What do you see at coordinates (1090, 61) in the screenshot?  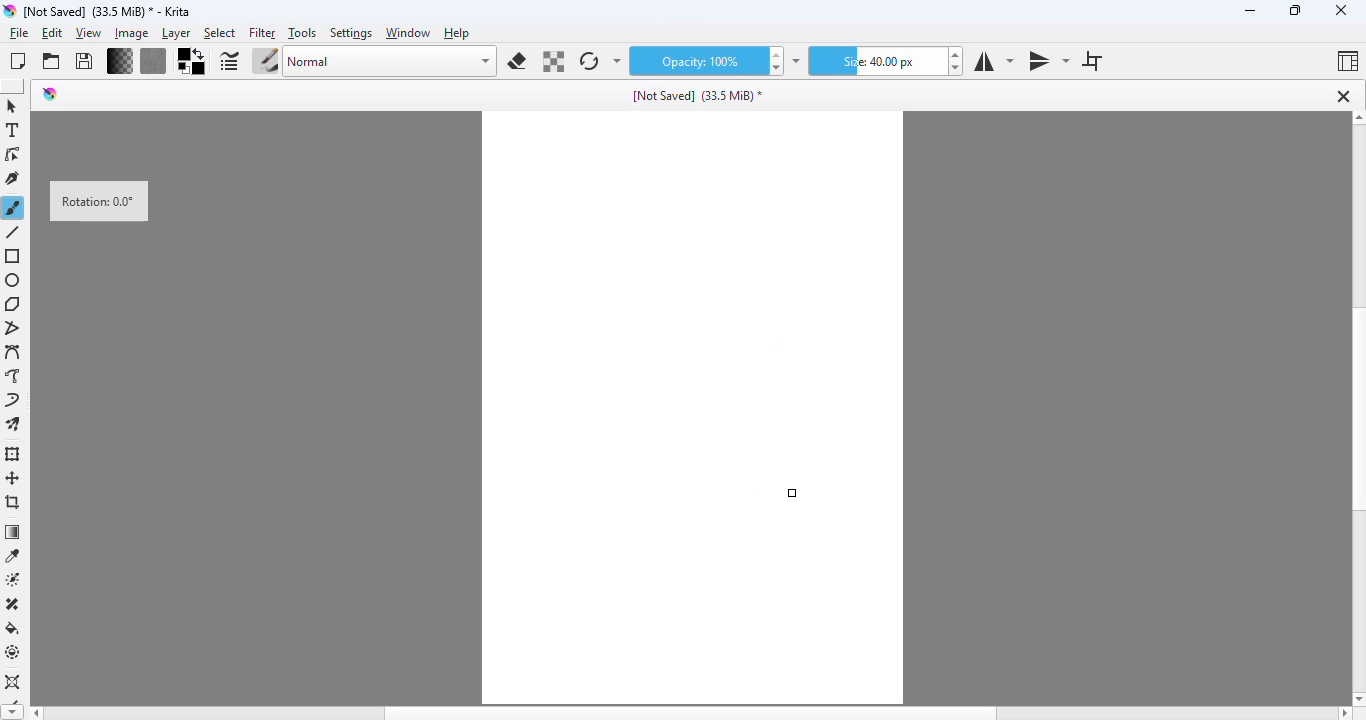 I see `wrap around mode` at bounding box center [1090, 61].